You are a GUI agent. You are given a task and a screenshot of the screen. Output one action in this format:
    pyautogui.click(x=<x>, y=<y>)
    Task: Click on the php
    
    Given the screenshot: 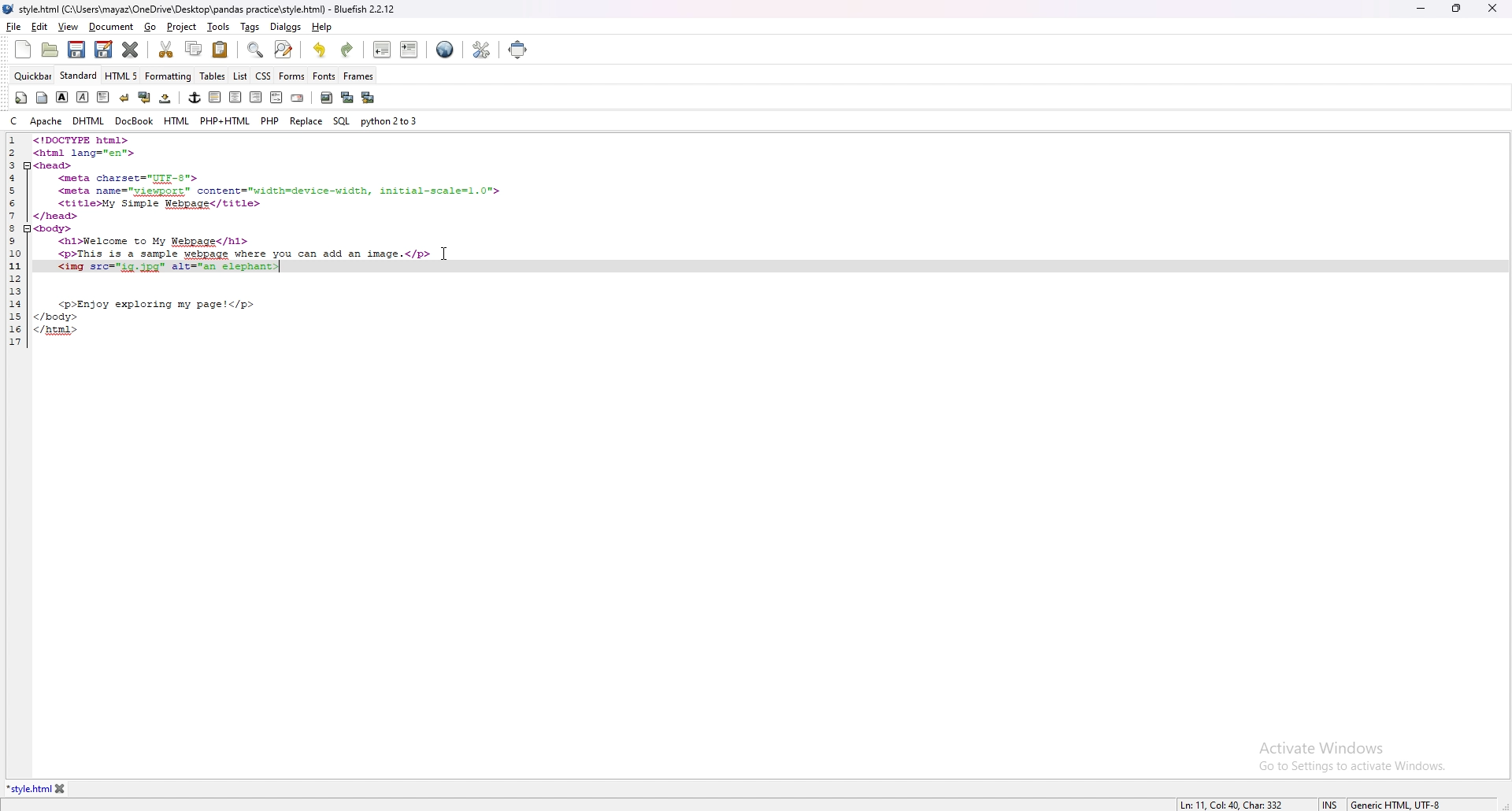 What is the action you would take?
    pyautogui.click(x=270, y=120)
    